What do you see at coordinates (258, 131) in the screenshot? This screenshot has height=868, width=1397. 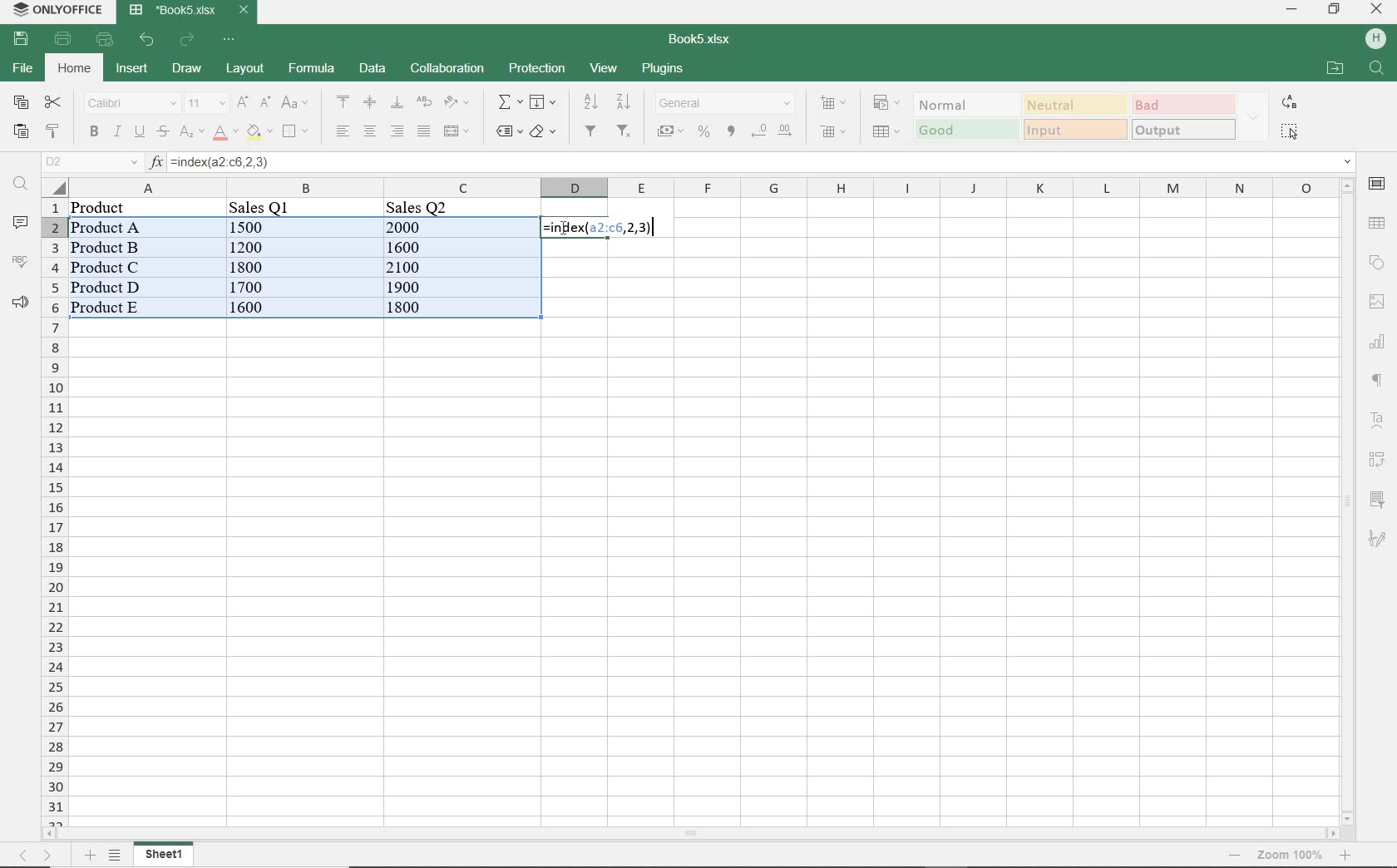 I see `fill color` at bounding box center [258, 131].